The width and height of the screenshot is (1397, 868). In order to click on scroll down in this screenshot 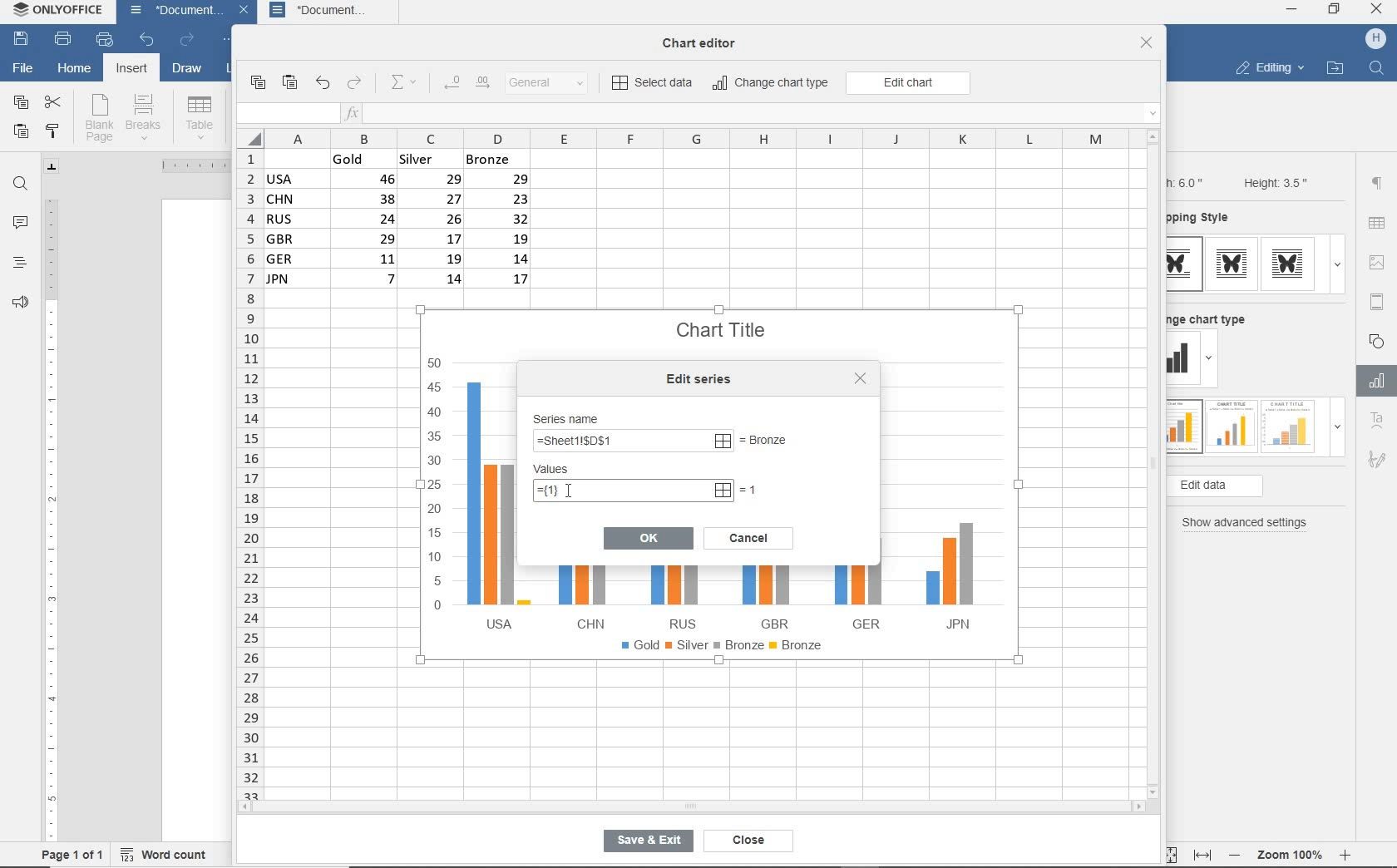, I will do `click(1154, 791)`.